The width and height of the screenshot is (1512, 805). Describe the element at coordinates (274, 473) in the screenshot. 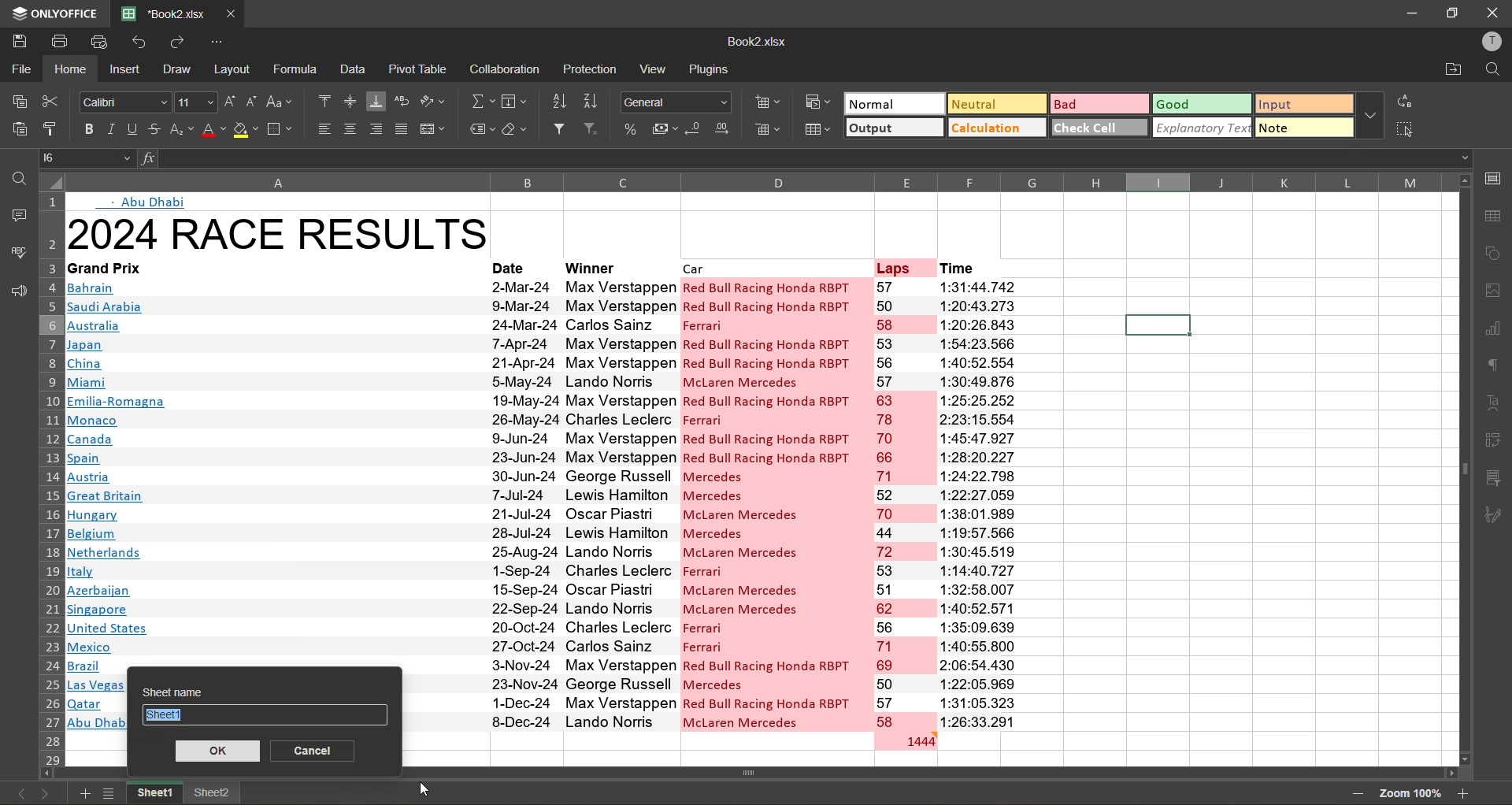

I see `country` at that location.